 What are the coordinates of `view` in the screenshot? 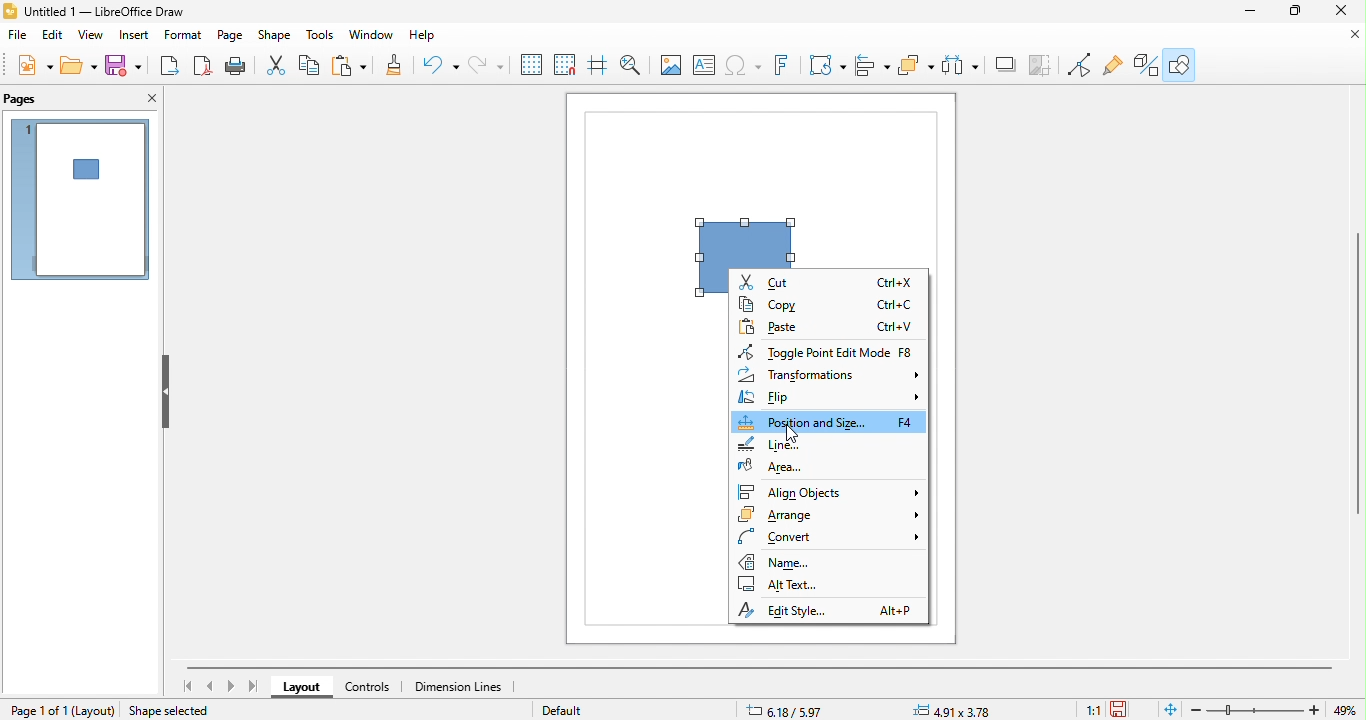 It's located at (92, 36).